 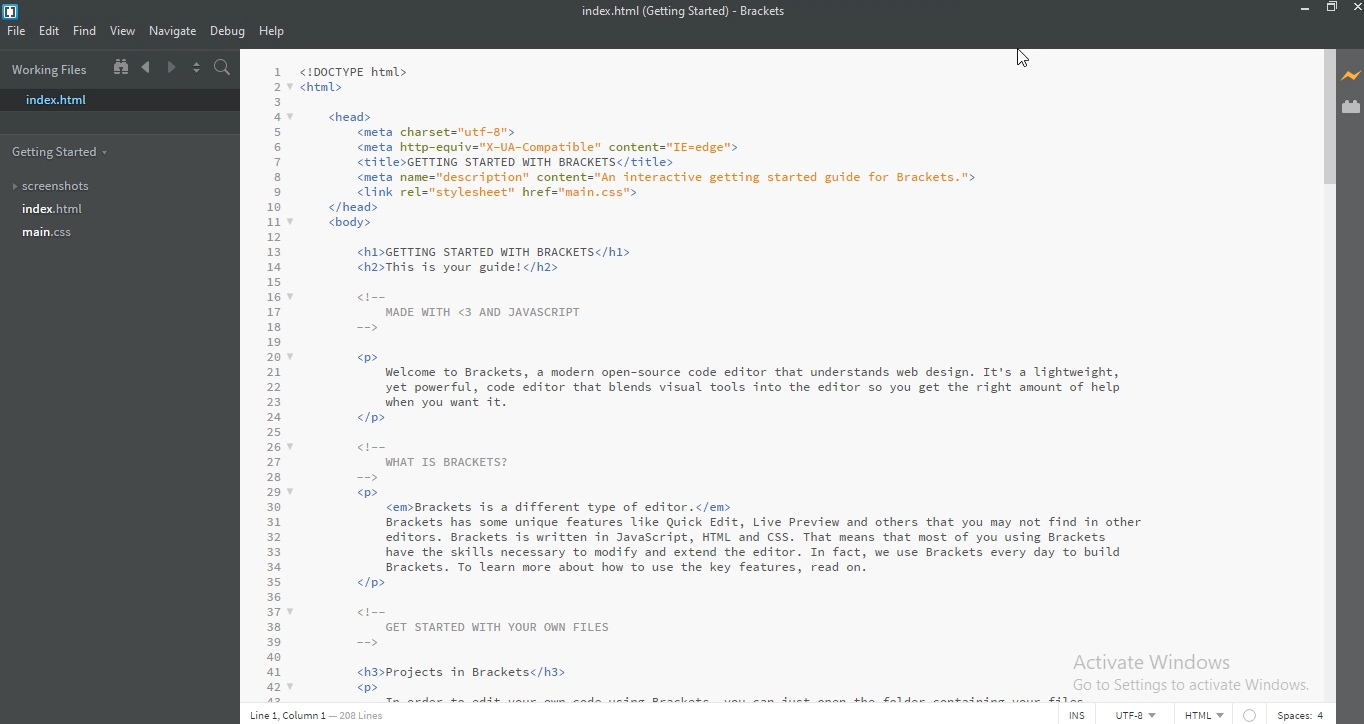 What do you see at coordinates (171, 69) in the screenshot?
I see `Next document` at bounding box center [171, 69].